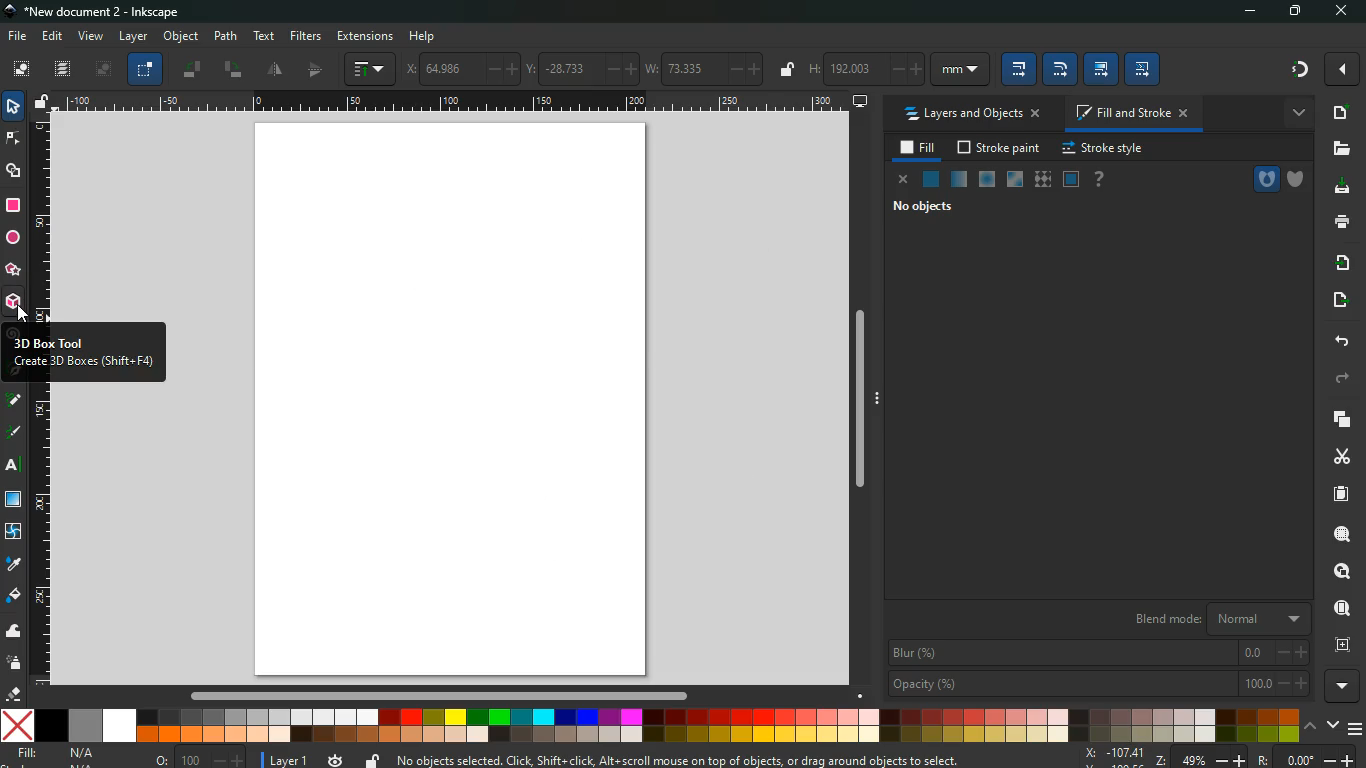 The width and height of the screenshot is (1366, 768). What do you see at coordinates (1311, 728) in the screenshot?
I see `up` at bounding box center [1311, 728].